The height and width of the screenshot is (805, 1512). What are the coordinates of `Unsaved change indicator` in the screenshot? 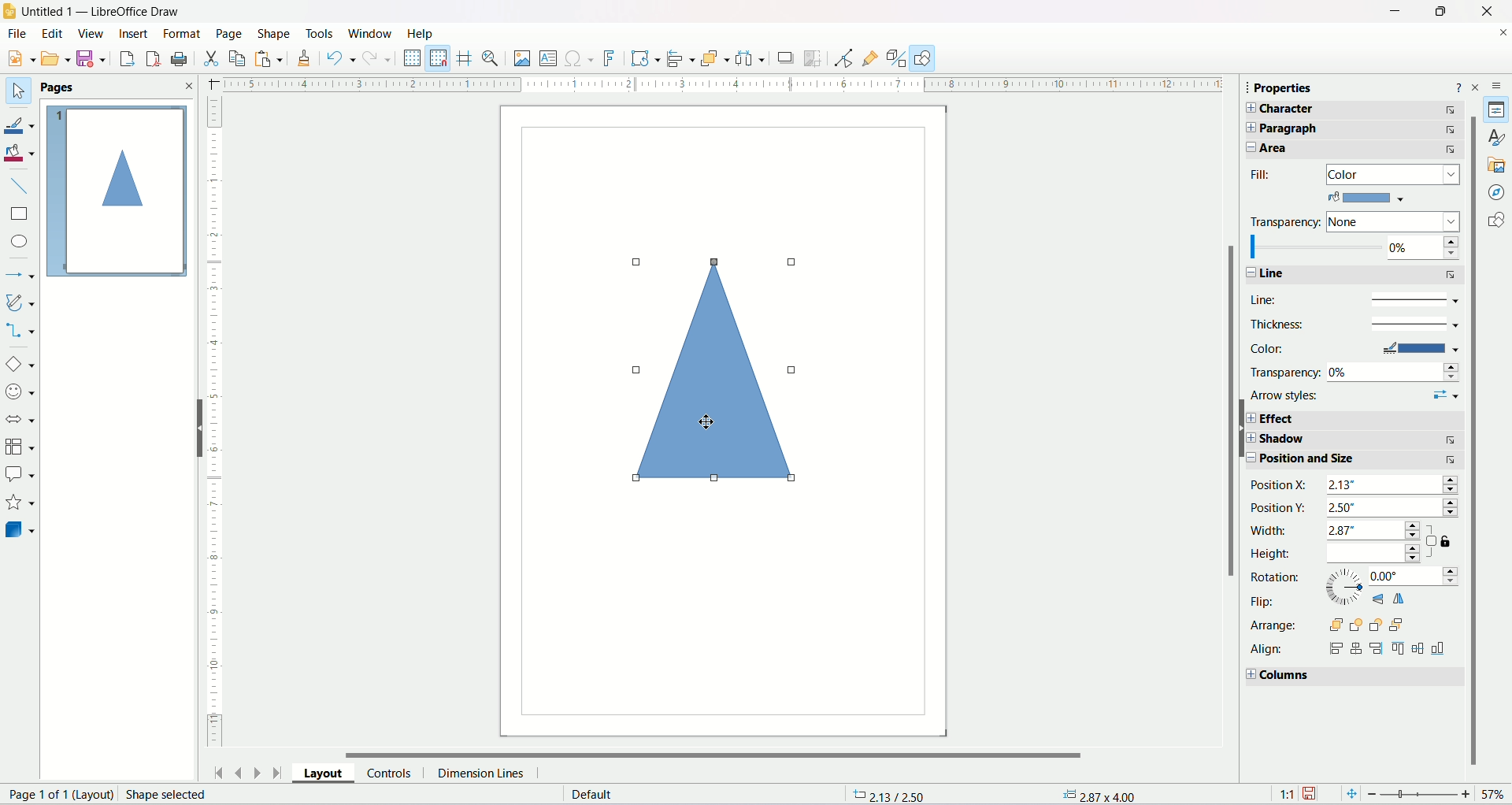 It's located at (1311, 793).